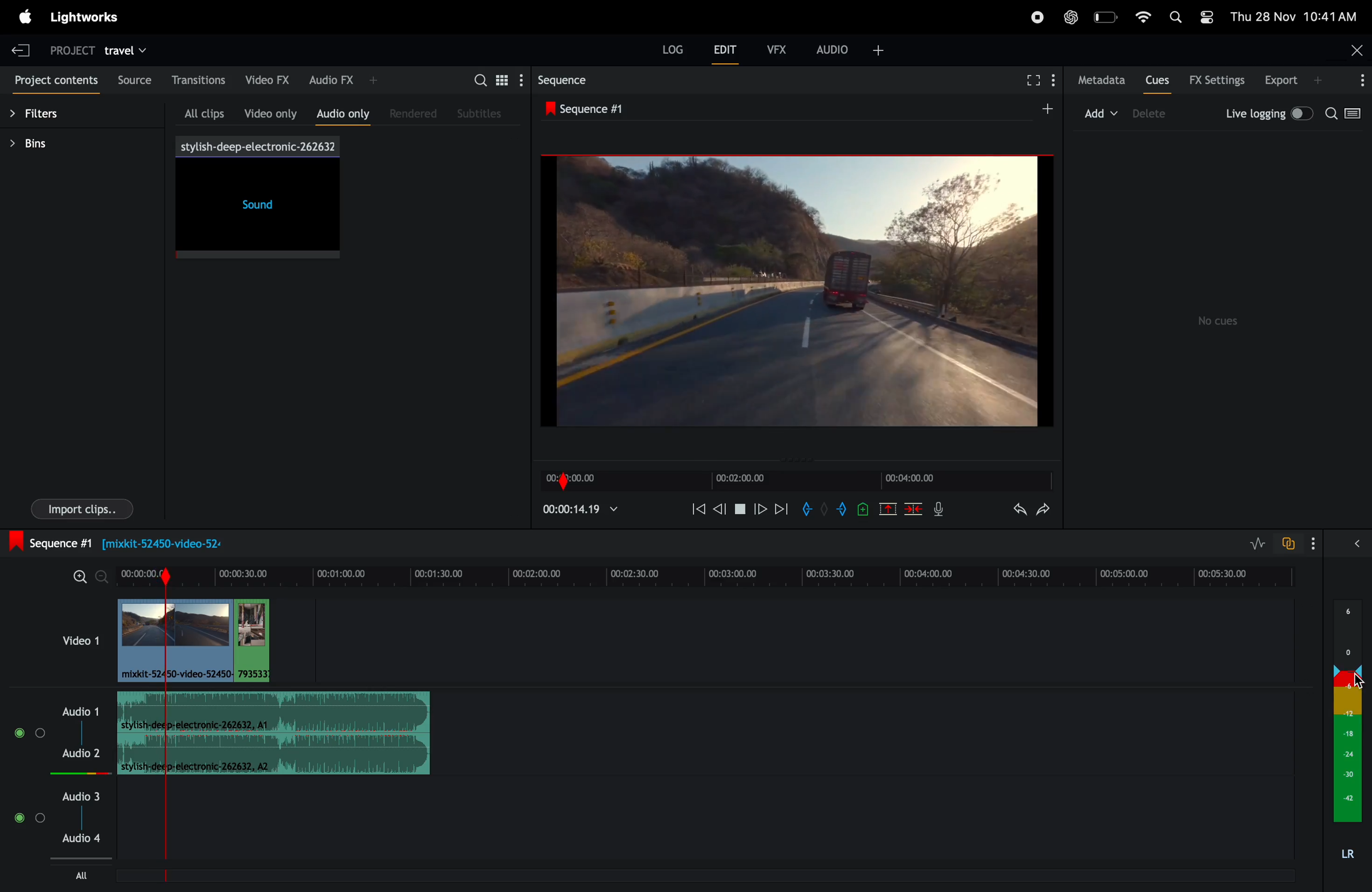  What do you see at coordinates (1266, 116) in the screenshot?
I see `live logging` at bounding box center [1266, 116].